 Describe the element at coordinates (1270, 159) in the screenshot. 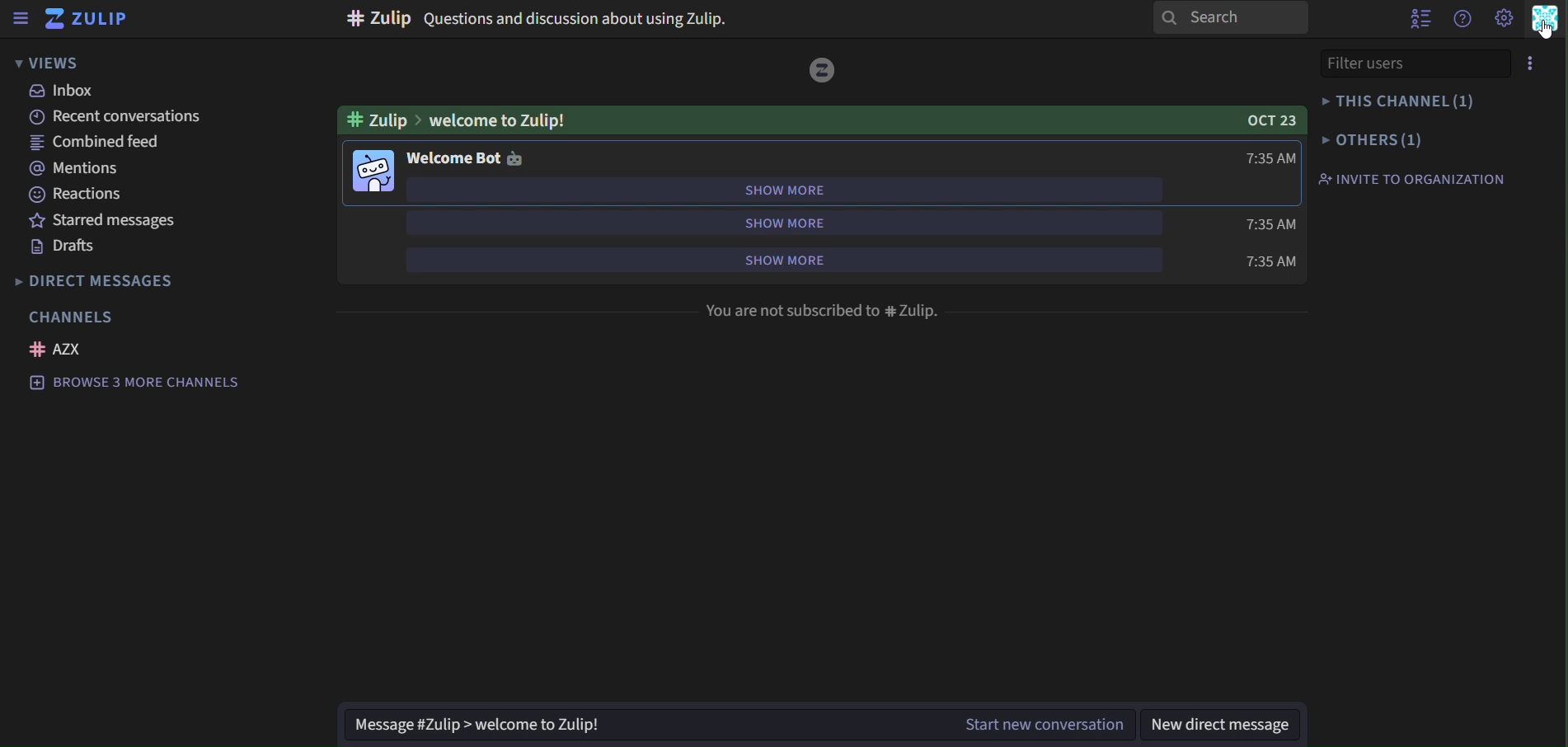

I see `time` at that location.